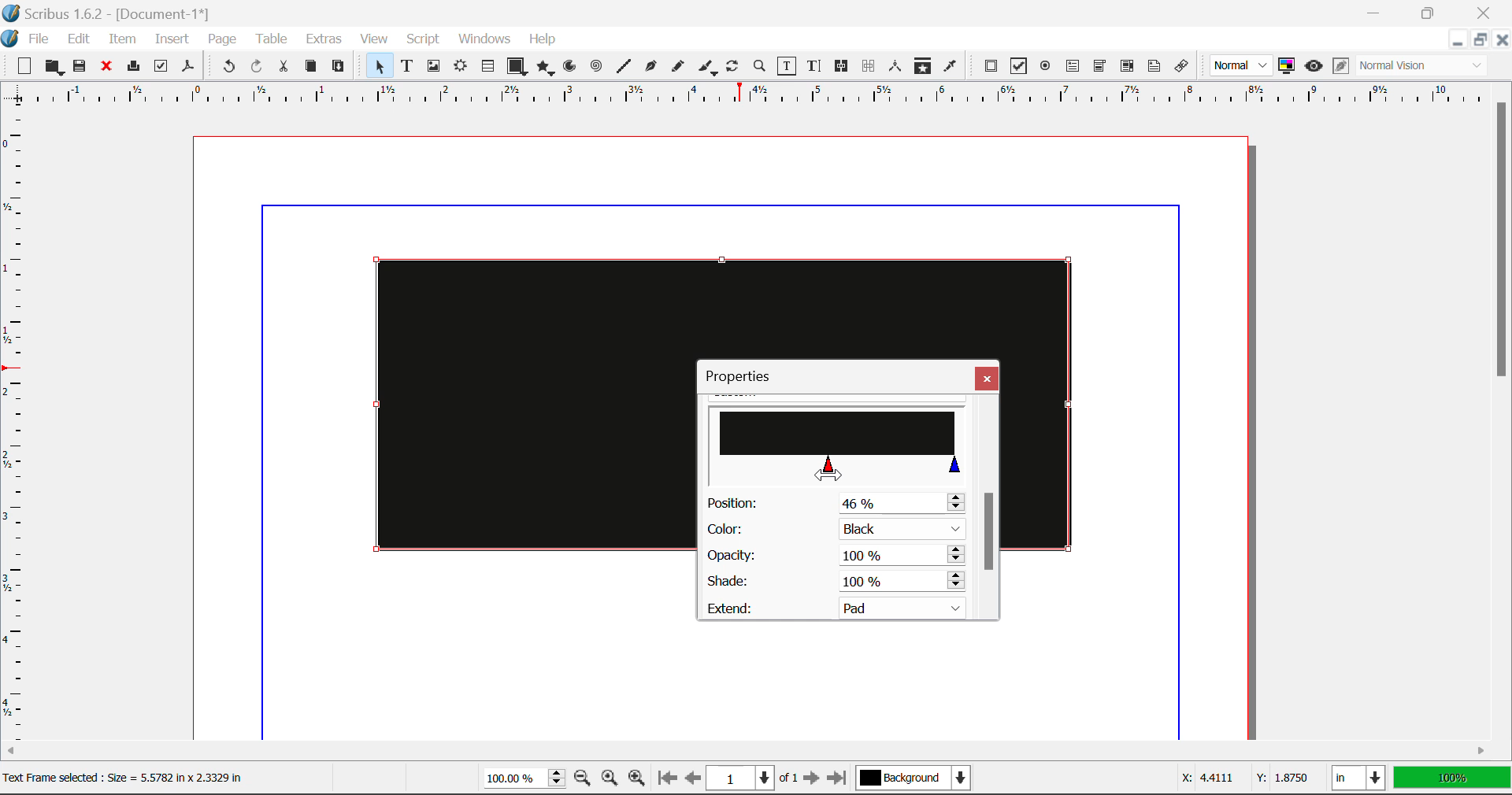 The image size is (1512, 795). Describe the element at coordinates (20, 431) in the screenshot. I see `Horizontal Page Margins` at that location.